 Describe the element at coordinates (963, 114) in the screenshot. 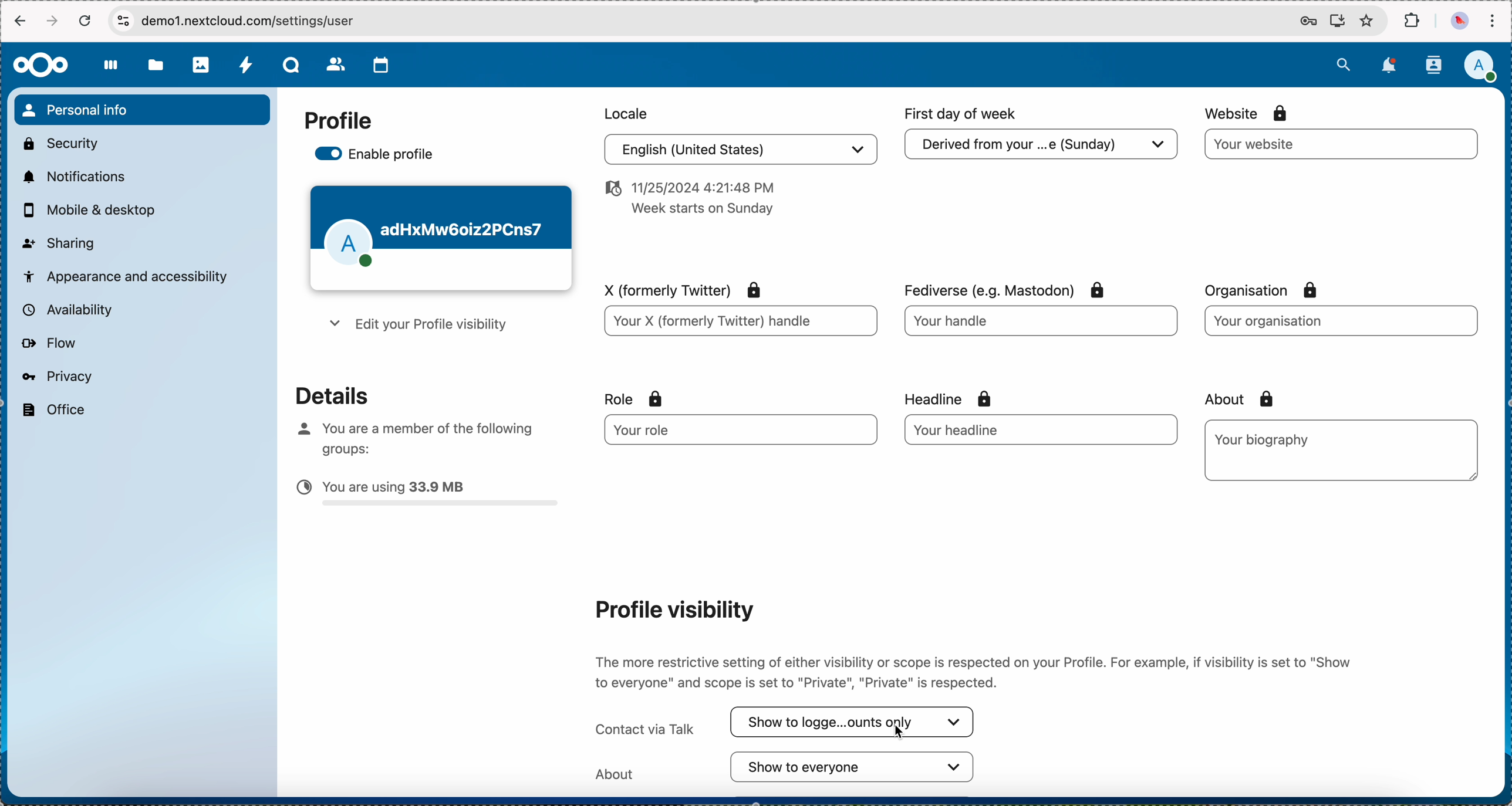

I see `first day of week` at that location.